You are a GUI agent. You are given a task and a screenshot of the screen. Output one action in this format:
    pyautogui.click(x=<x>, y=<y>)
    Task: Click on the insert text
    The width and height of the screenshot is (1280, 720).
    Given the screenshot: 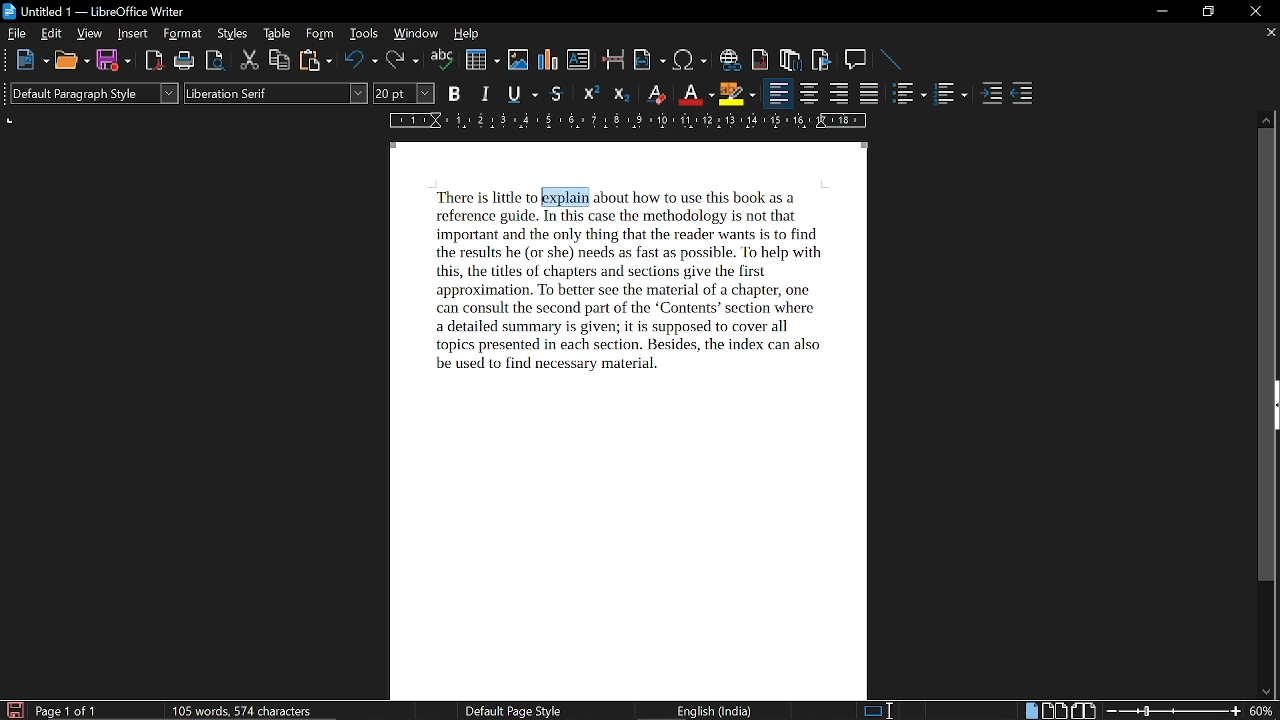 What is the action you would take?
    pyautogui.click(x=578, y=60)
    